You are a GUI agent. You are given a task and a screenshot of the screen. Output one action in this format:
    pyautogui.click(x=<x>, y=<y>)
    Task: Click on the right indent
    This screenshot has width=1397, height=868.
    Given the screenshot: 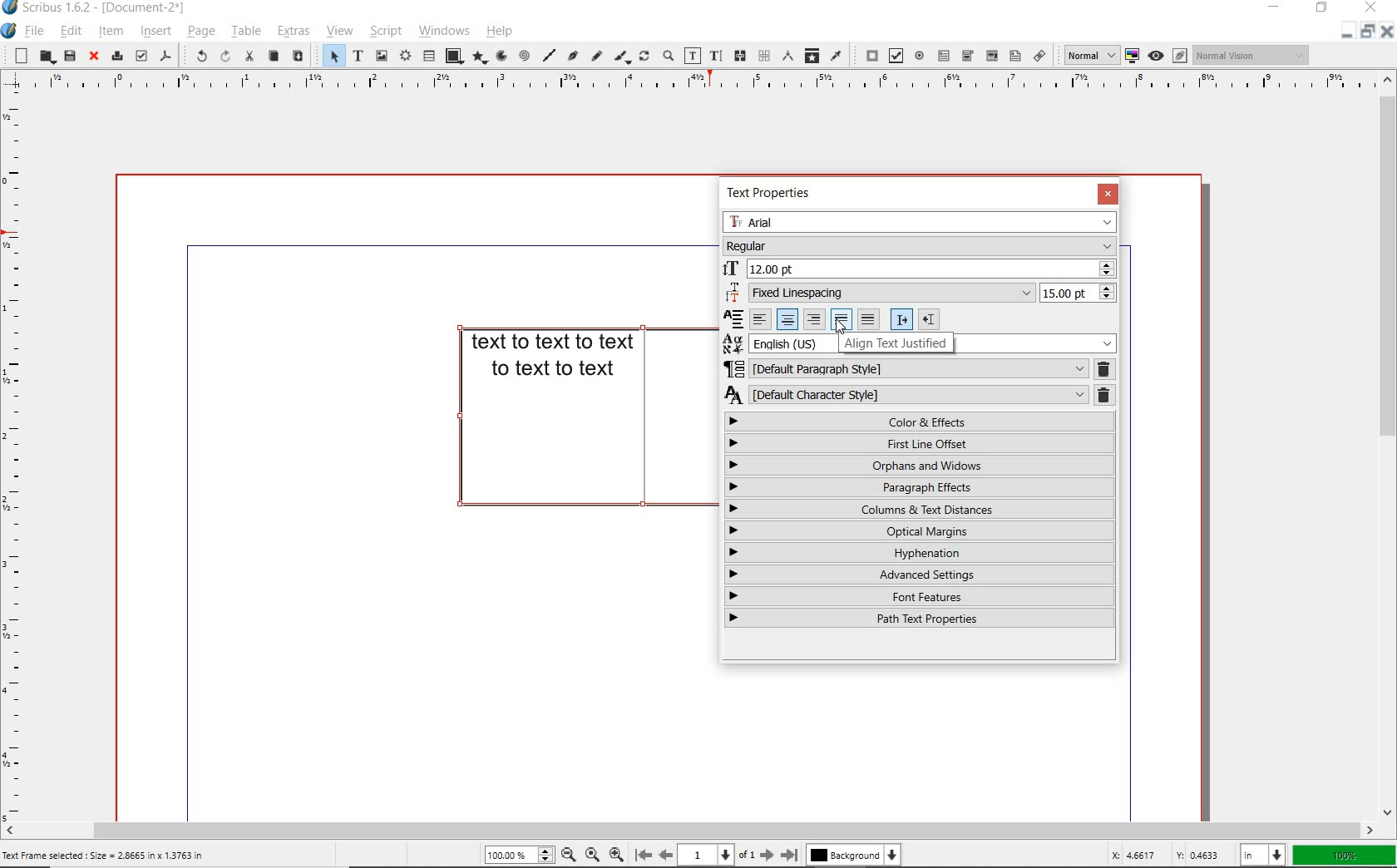 What is the action you would take?
    pyautogui.click(x=901, y=319)
    